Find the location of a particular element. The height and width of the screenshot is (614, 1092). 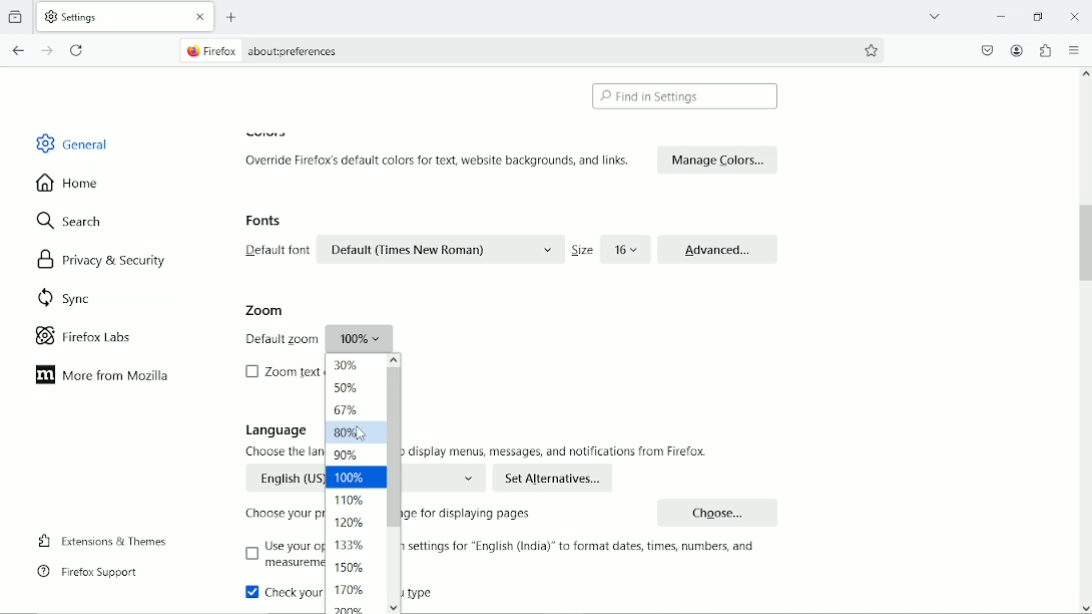

Fonts is located at coordinates (266, 221).